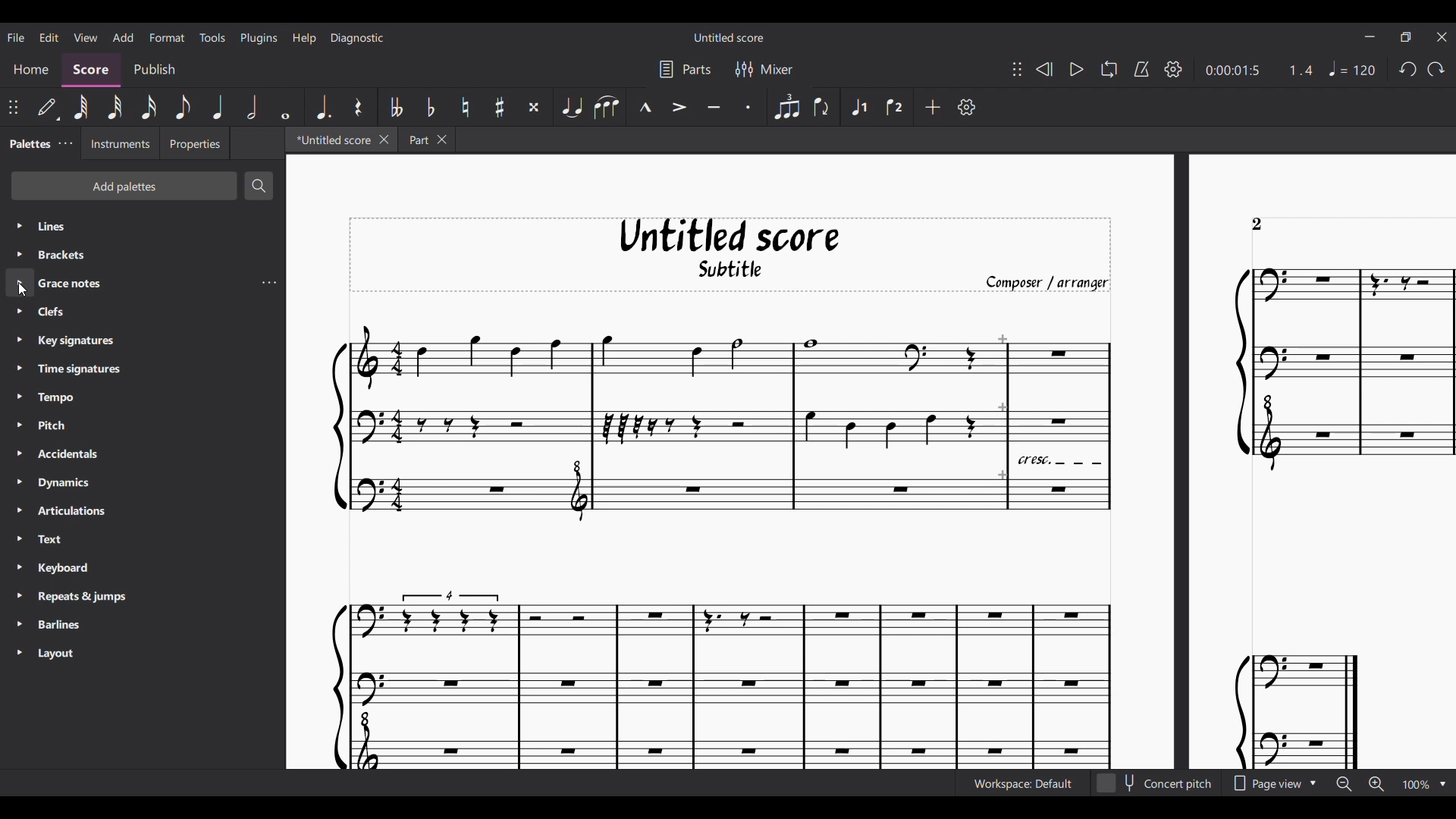 The height and width of the screenshot is (819, 1456). What do you see at coordinates (153, 71) in the screenshot?
I see `Publish section` at bounding box center [153, 71].